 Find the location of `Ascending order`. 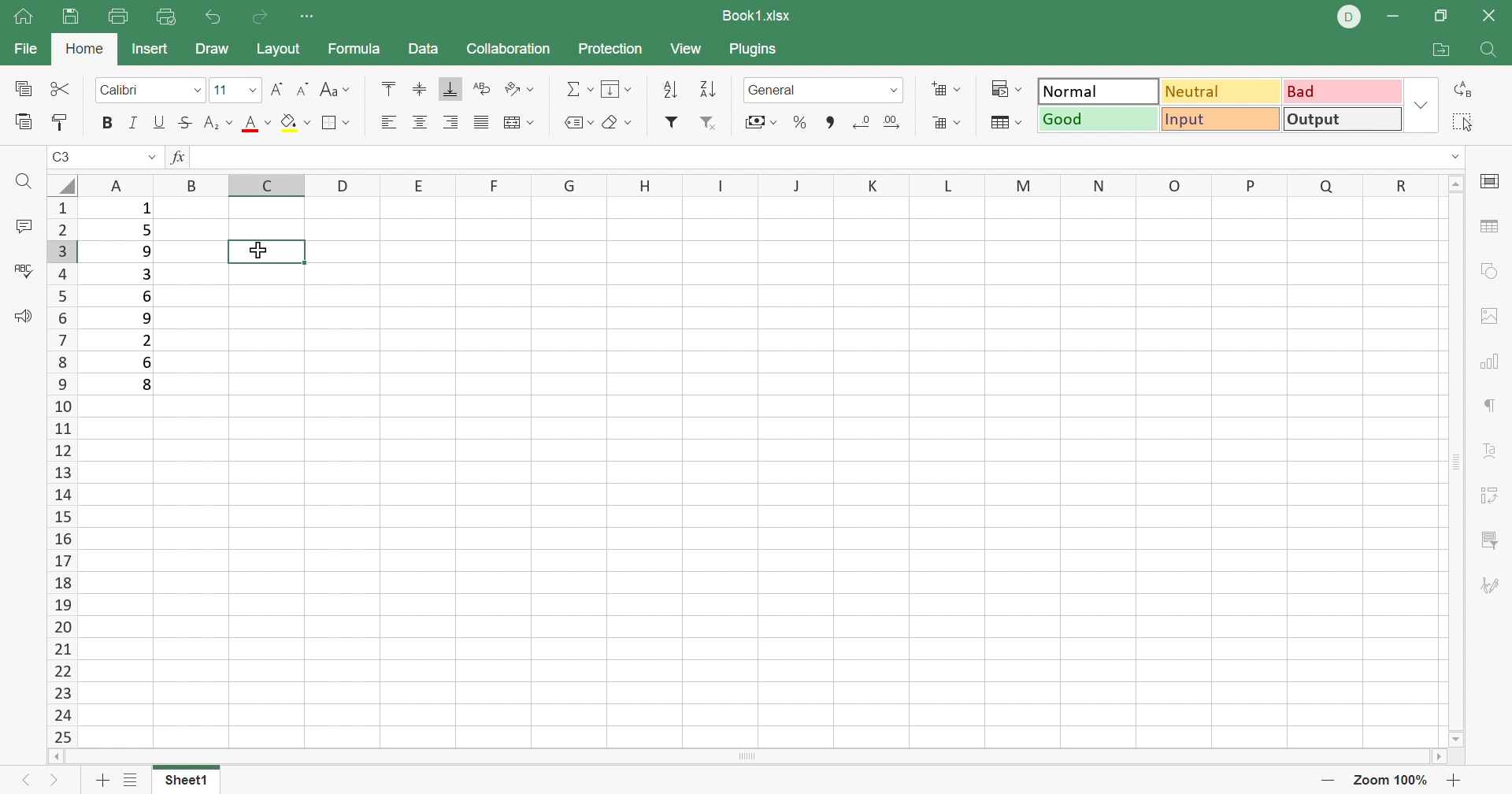

Ascending order is located at coordinates (670, 91).